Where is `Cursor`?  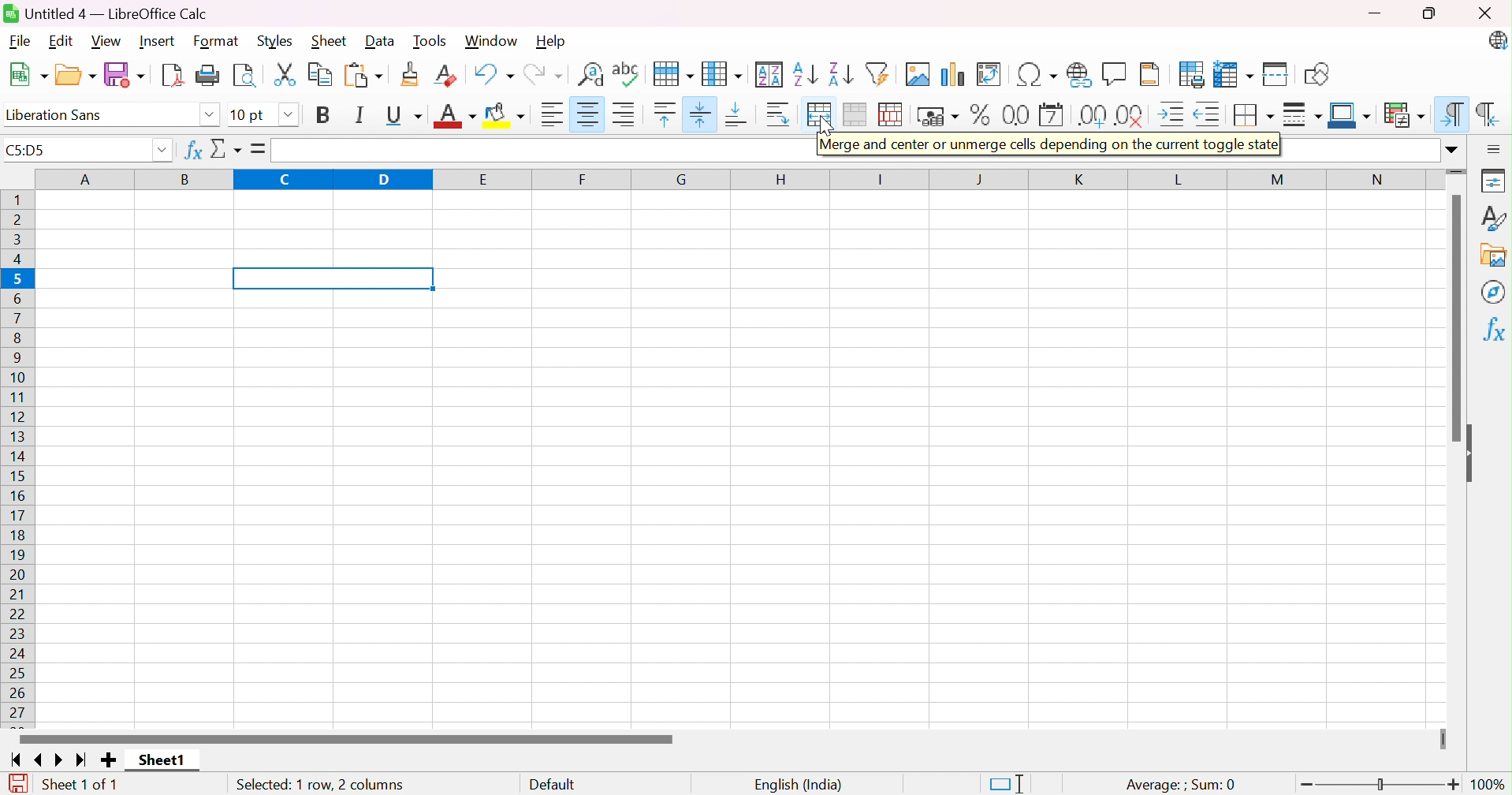 Cursor is located at coordinates (823, 126).